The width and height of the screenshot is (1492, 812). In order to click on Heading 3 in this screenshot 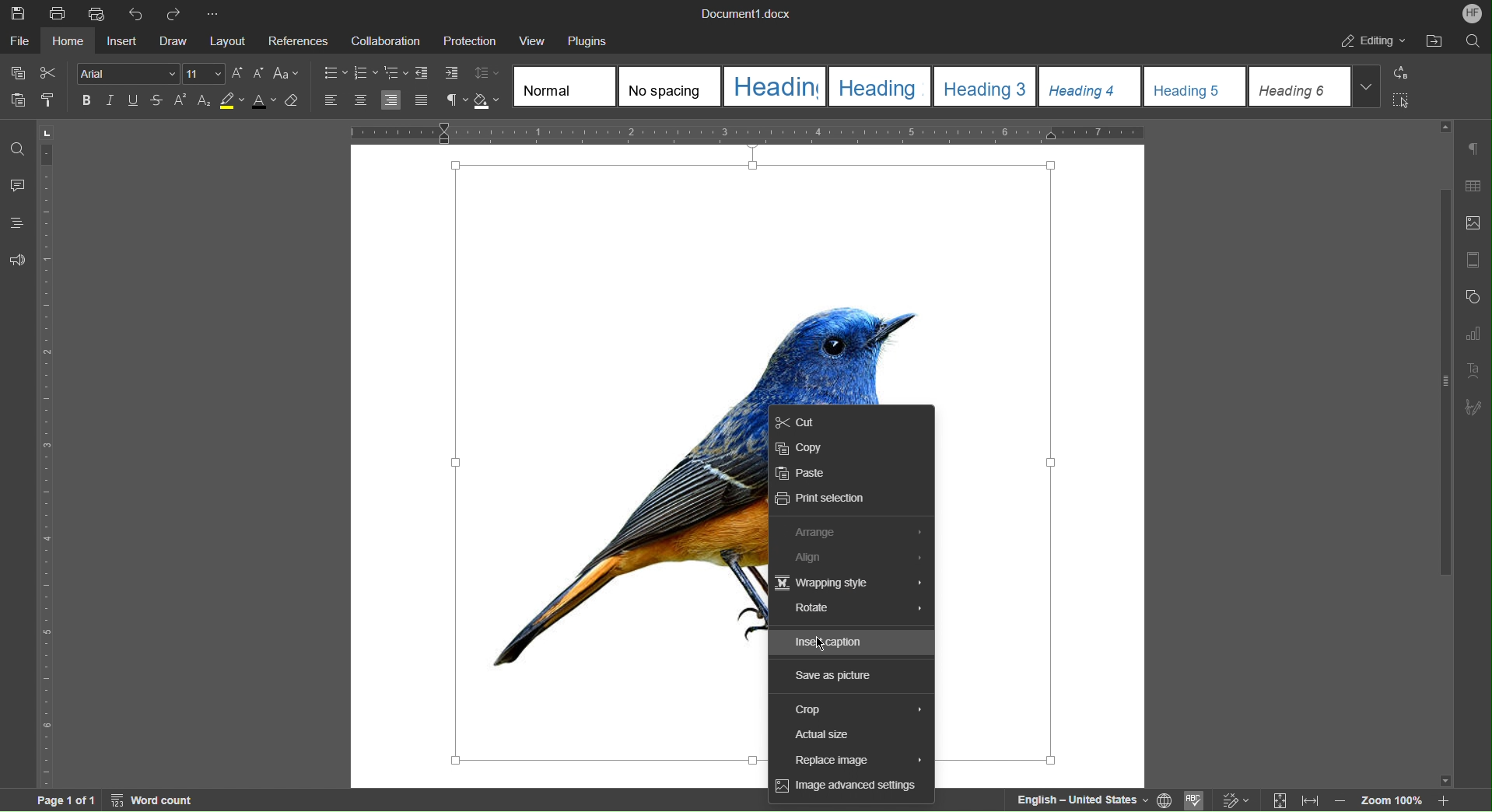, I will do `click(985, 86)`.